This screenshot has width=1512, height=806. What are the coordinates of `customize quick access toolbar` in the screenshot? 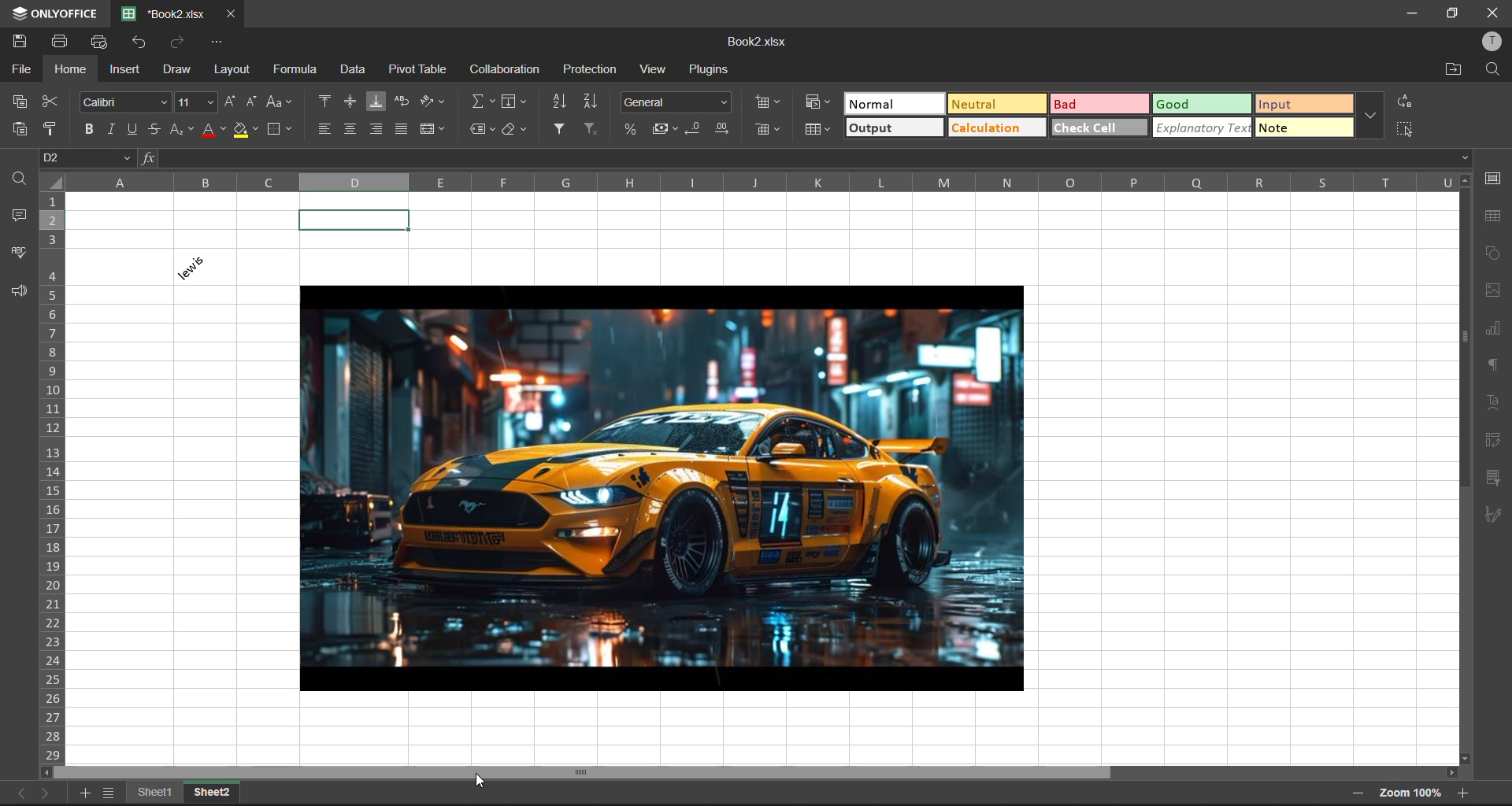 It's located at (218, 43).